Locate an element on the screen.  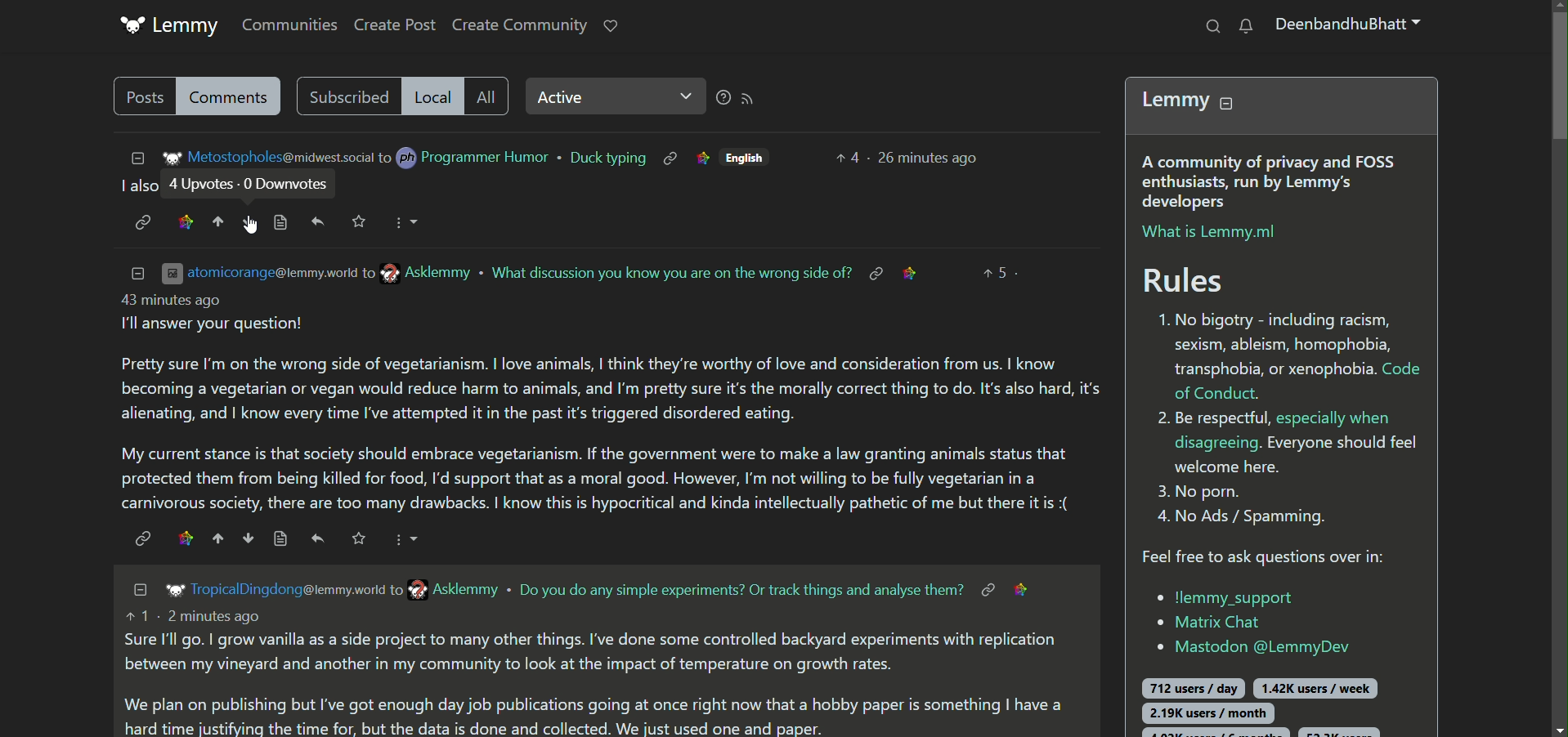
notification is located at coordinates (1246, 27).